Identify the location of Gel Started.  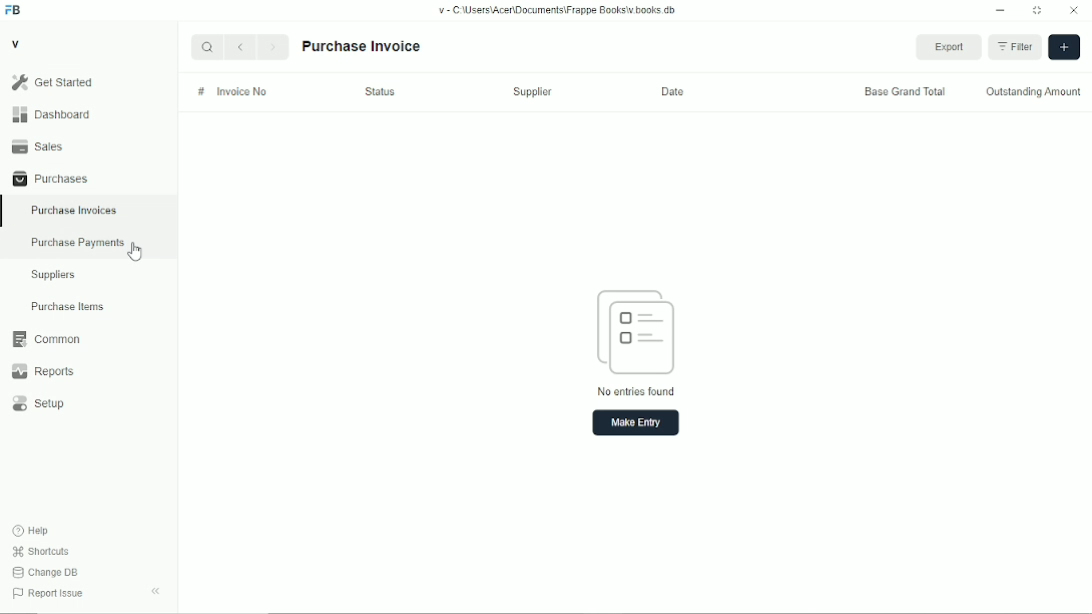
(88, 82).